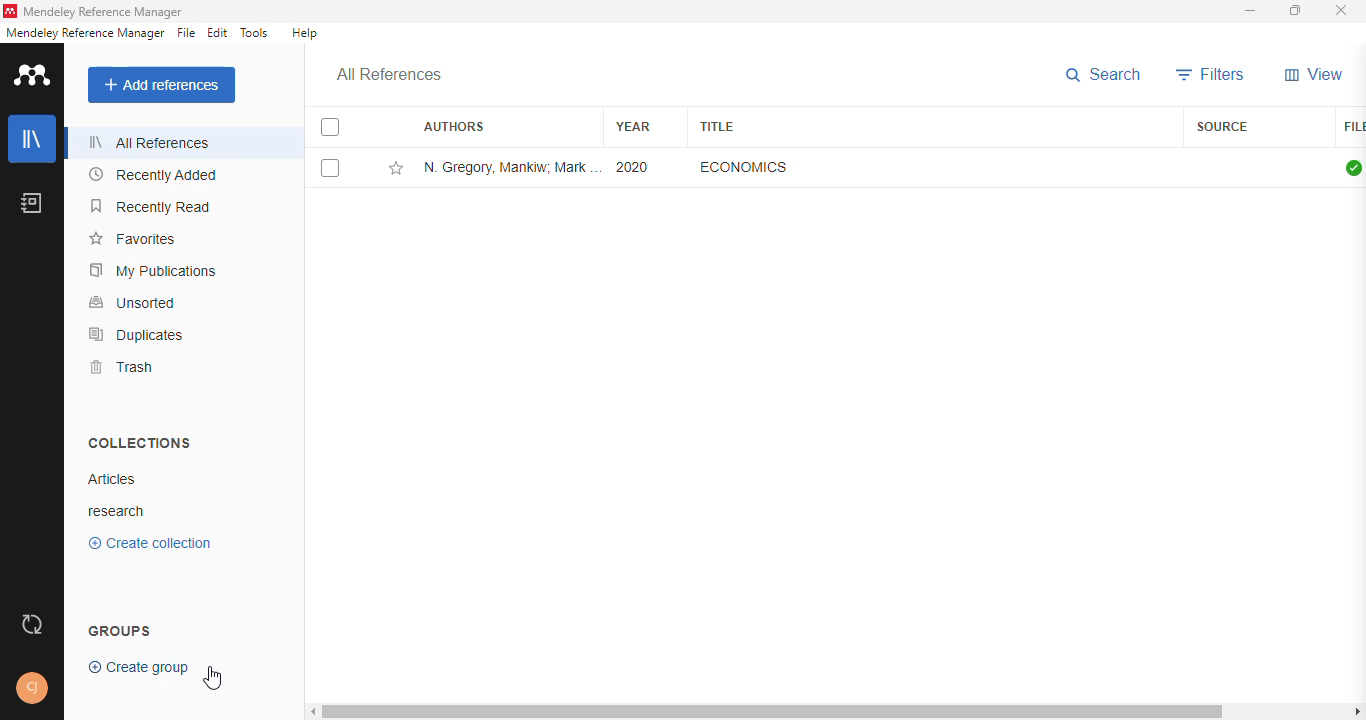 This screenshot has width=1366, height=720. I want to click on library, so click(32, 138).